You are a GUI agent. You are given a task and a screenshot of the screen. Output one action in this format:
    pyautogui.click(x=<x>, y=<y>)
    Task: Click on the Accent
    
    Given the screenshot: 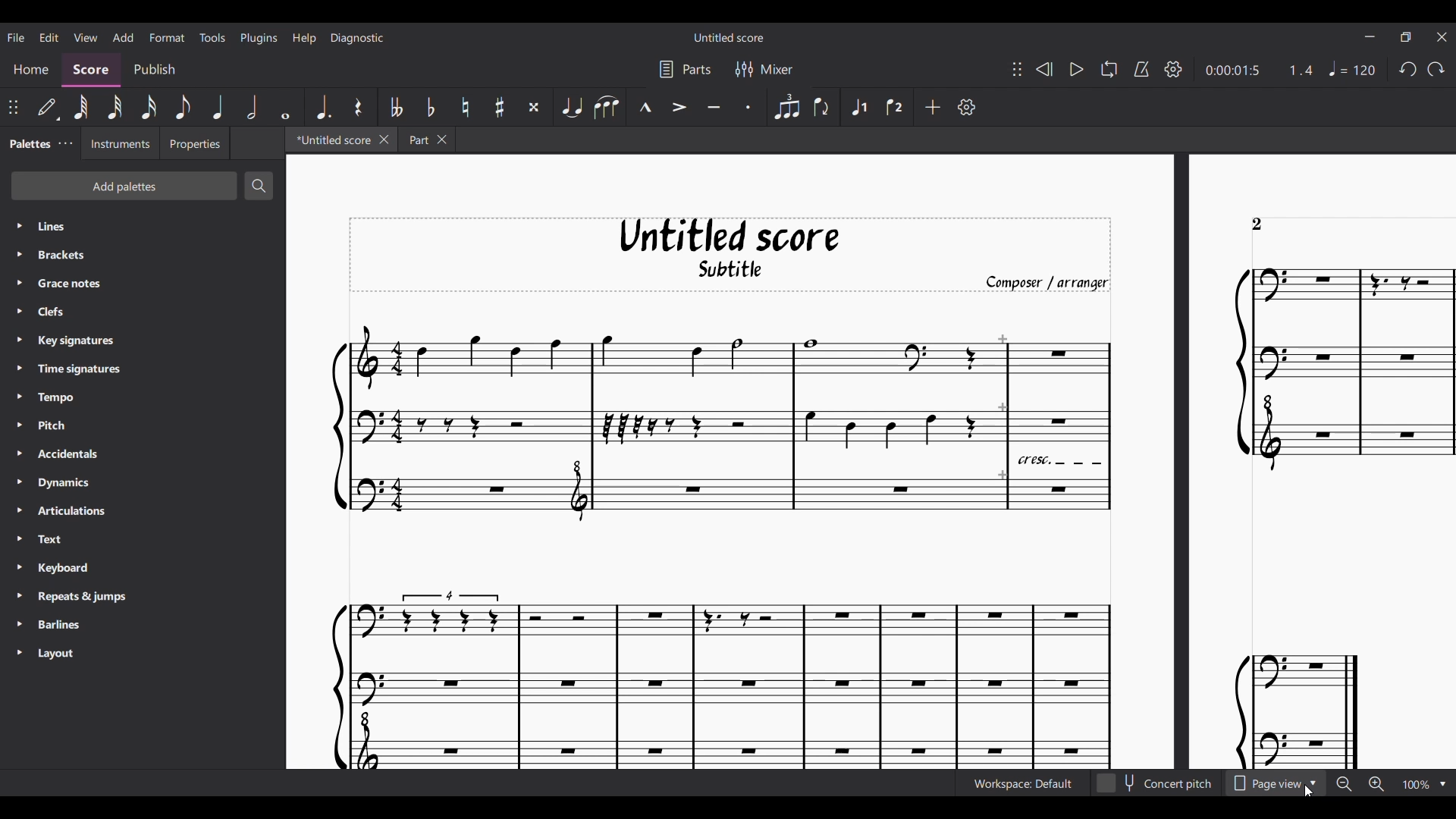 What is the action you would take?
    pyautogui.click(x=678, y=107)
    